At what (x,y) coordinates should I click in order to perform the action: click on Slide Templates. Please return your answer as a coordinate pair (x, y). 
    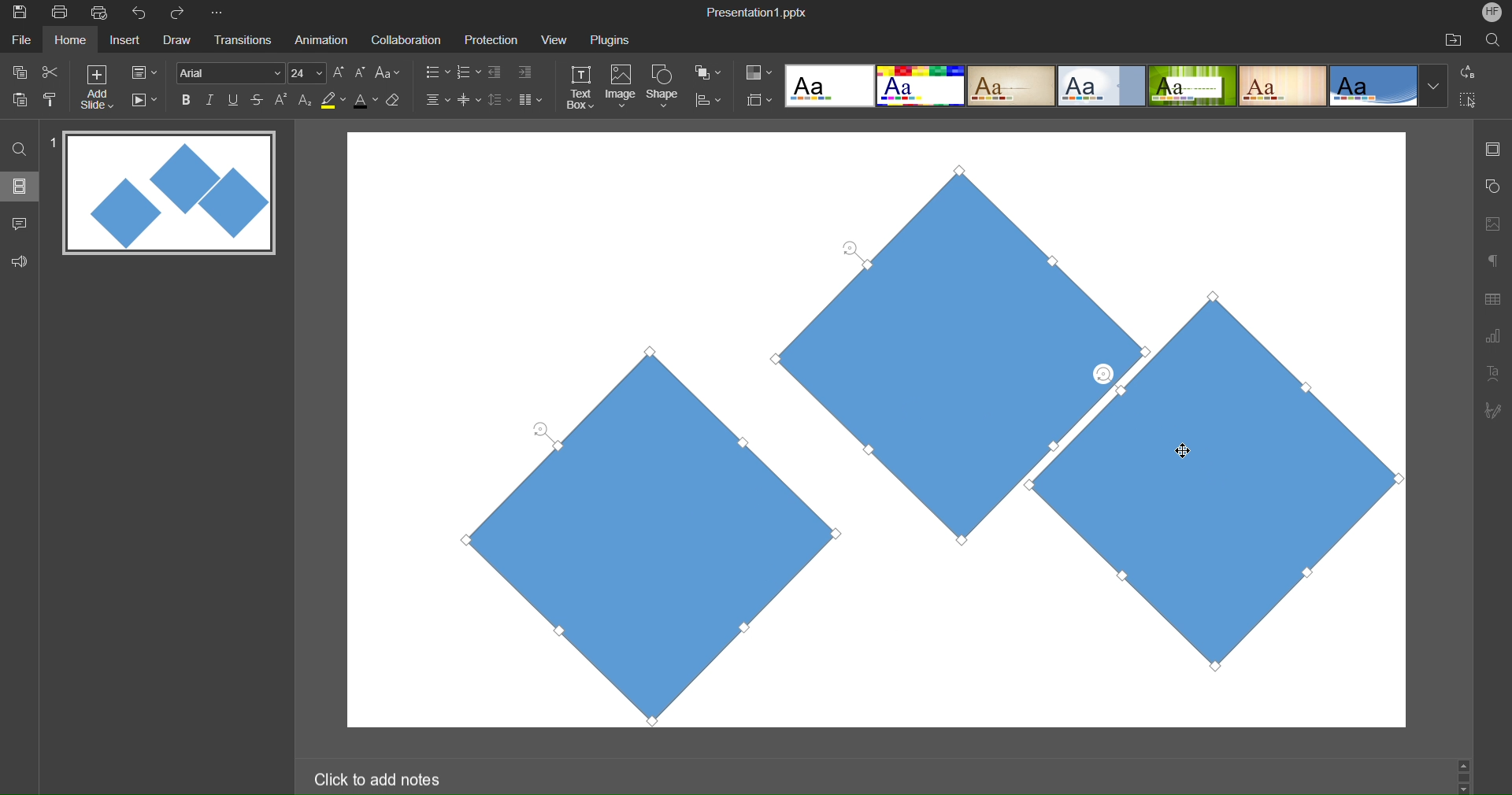
    Looking at the image, I should click on (1117, 84).